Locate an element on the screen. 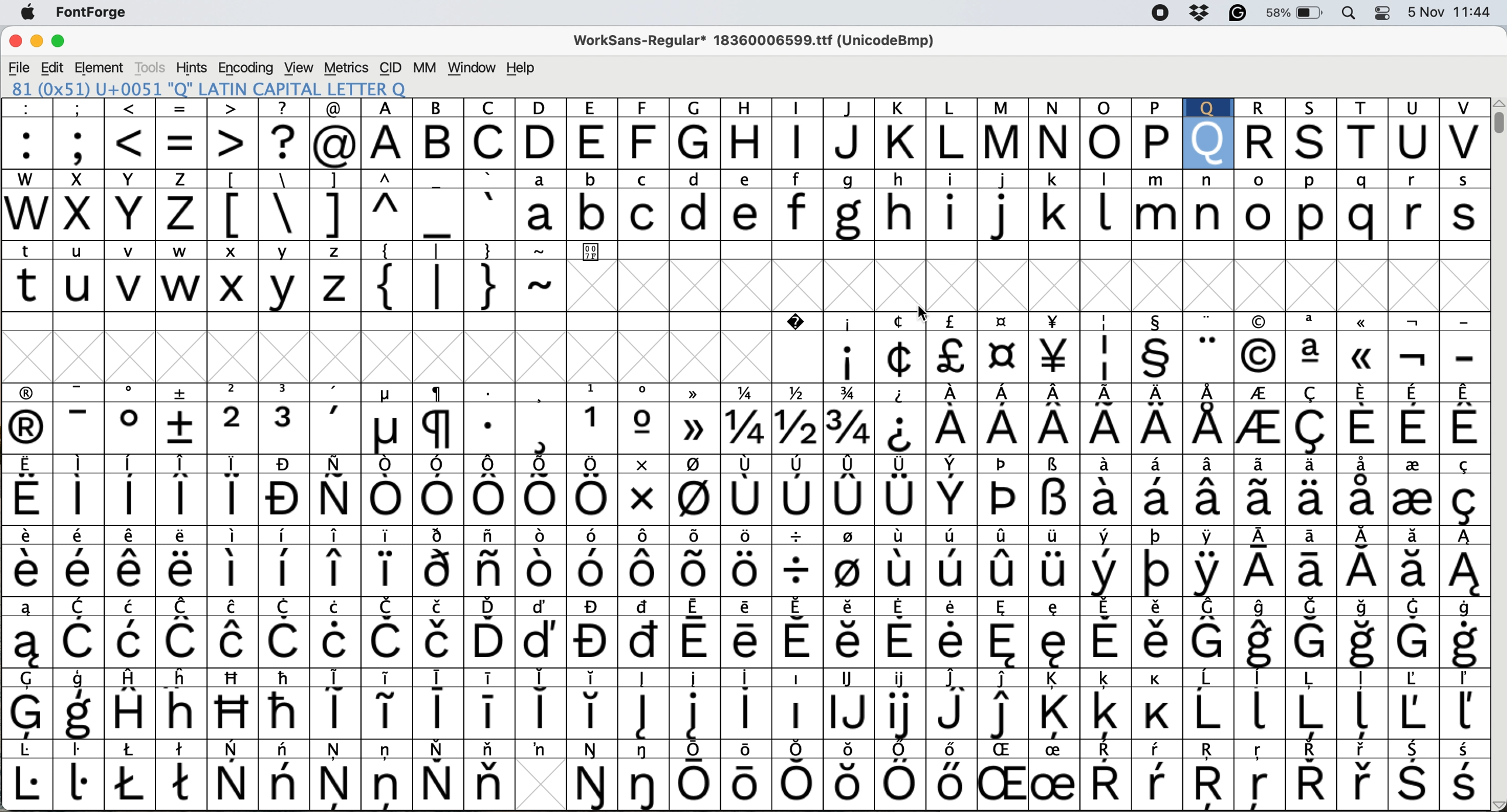 The image size is (1507, 812). system logo is located at coordinates (29, 15).